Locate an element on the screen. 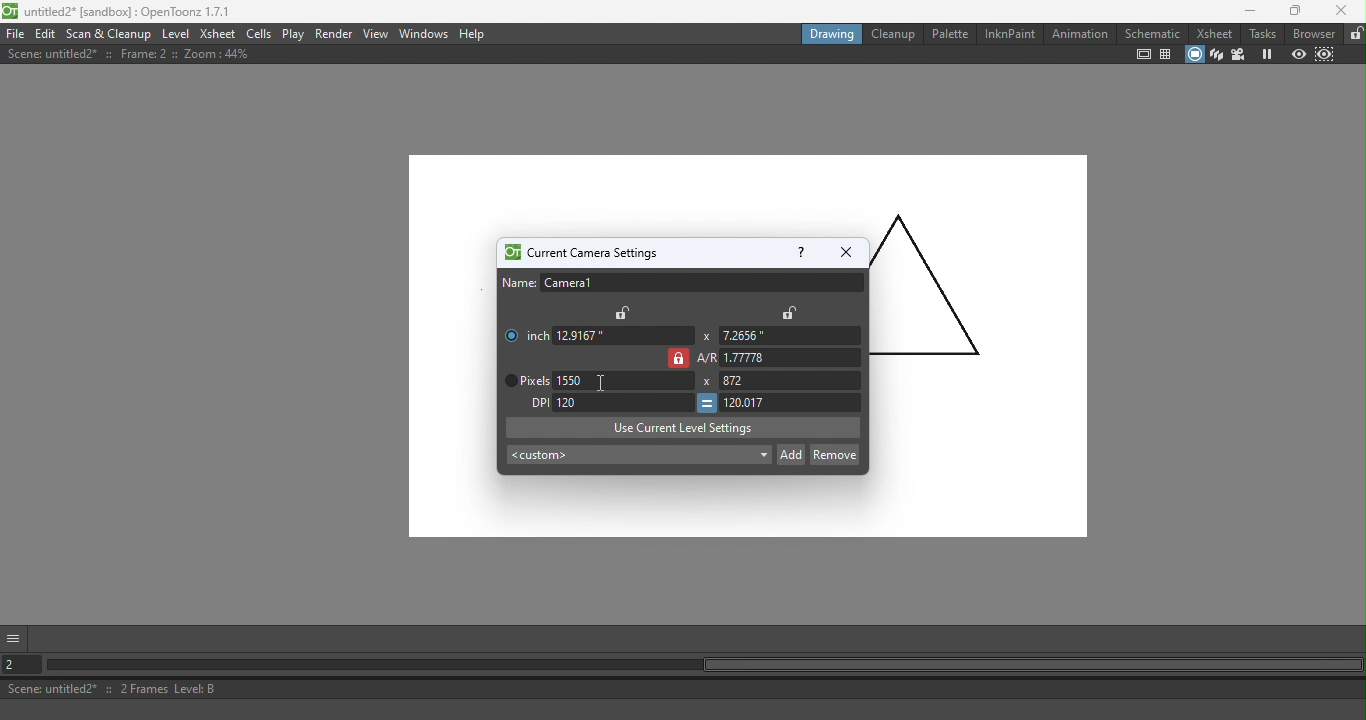 The height and width of the screenshot is (720, 1366). Tasks is located at coordinates (1261, 34).